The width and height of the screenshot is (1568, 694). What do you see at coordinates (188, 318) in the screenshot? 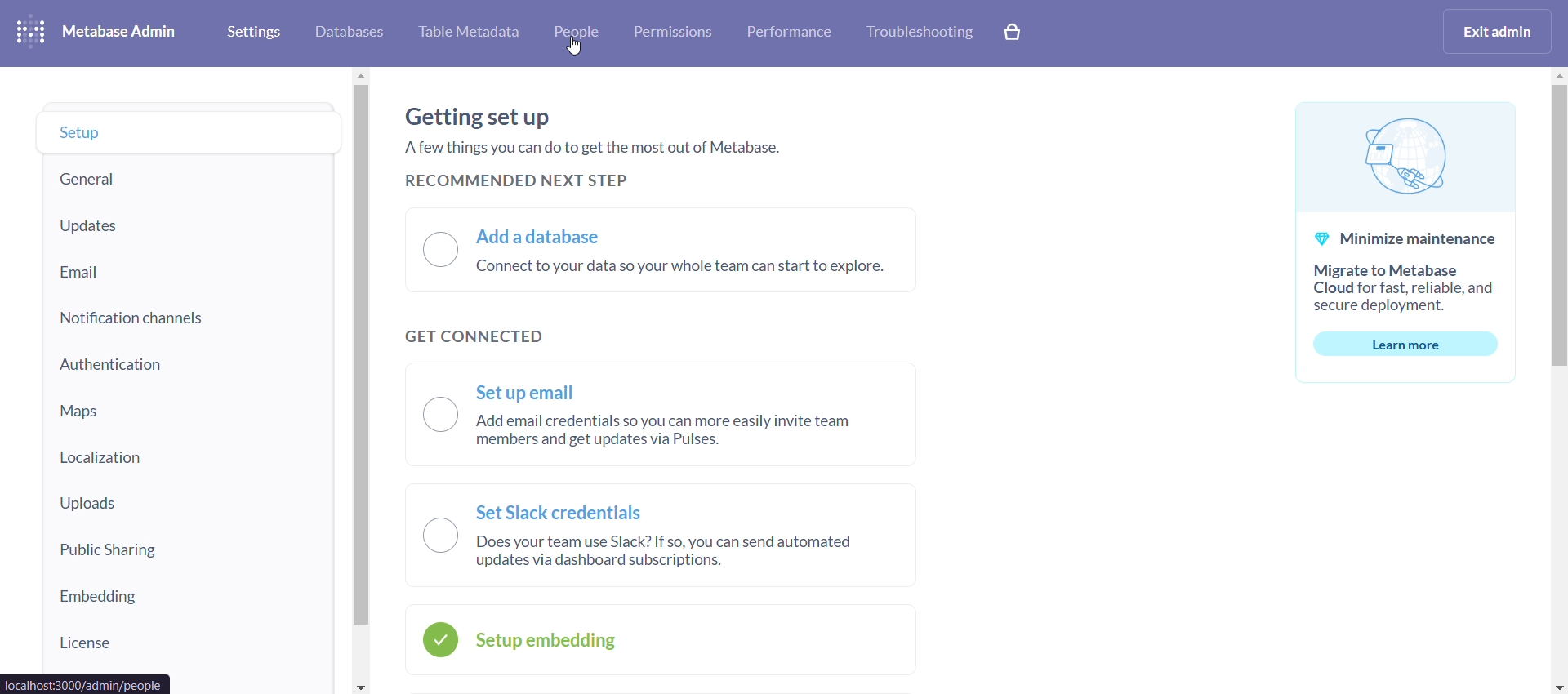
I see `notification channels` at bounding box center [188, 318].